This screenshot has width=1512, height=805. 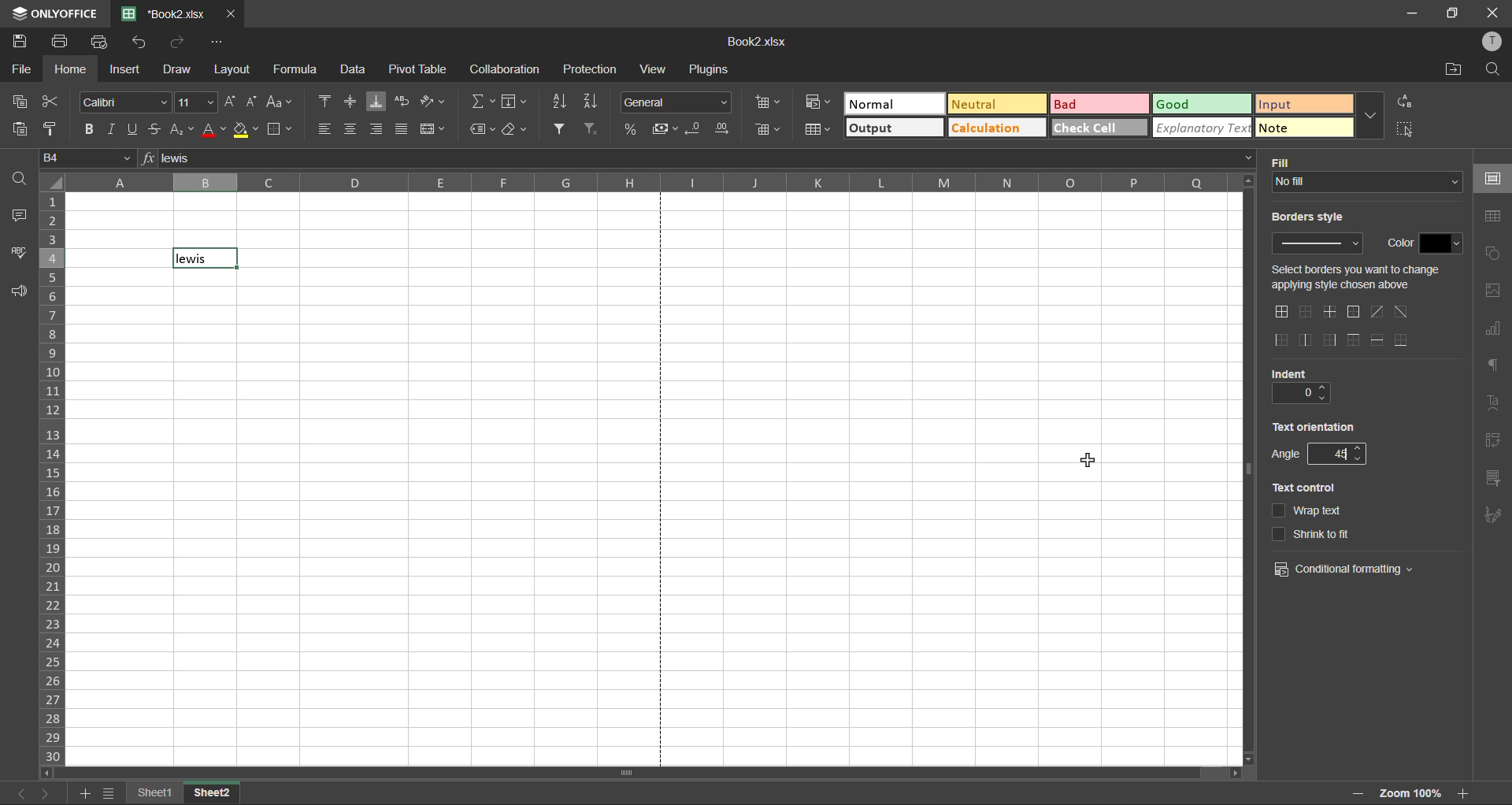 What do you see at coordinates (1490, 12) in the screenshot?
I see `close` at bounding box center [1490, 12].